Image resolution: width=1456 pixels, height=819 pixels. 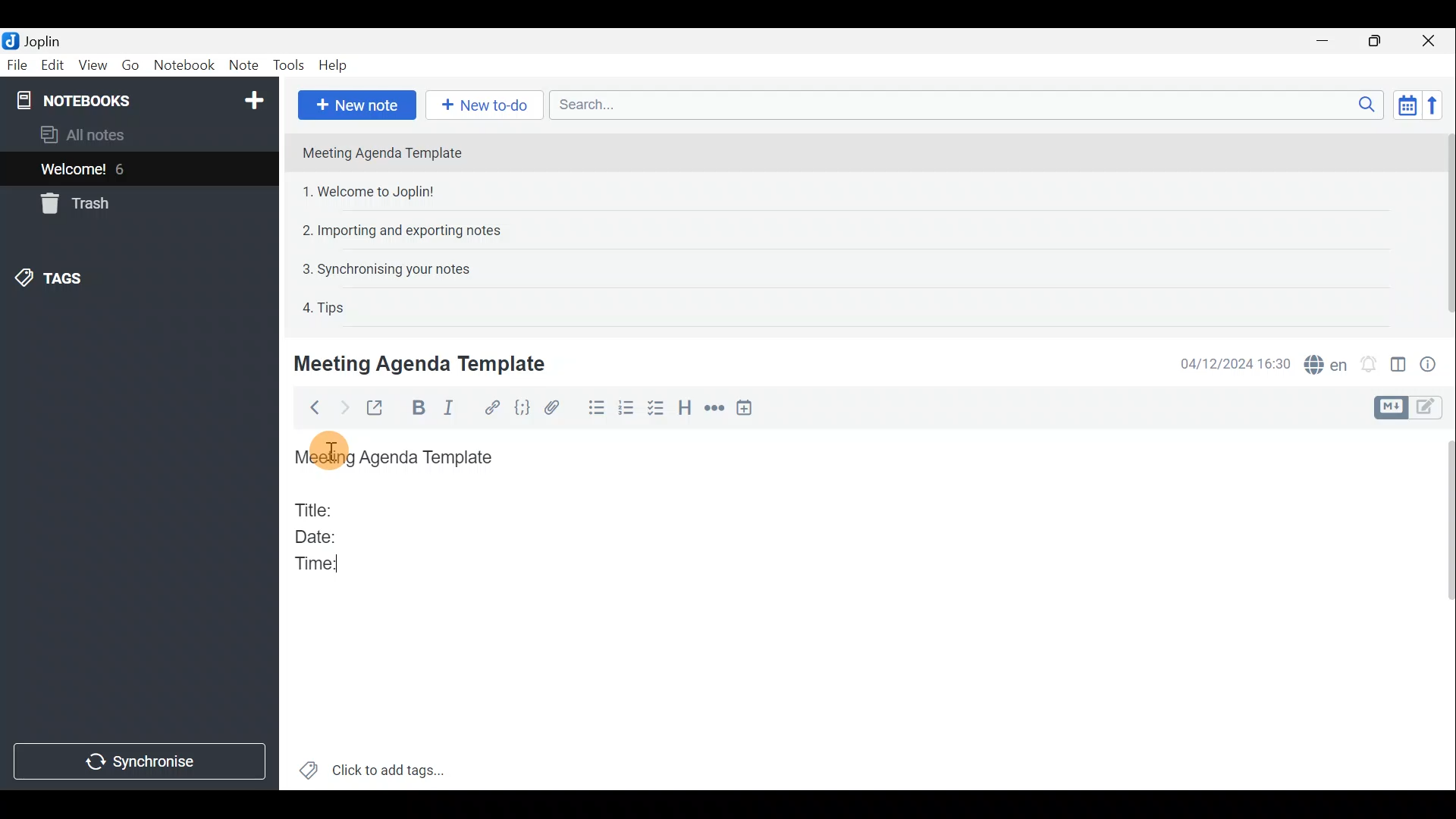 I want to click on Attach file, so click(x=560, y=408).